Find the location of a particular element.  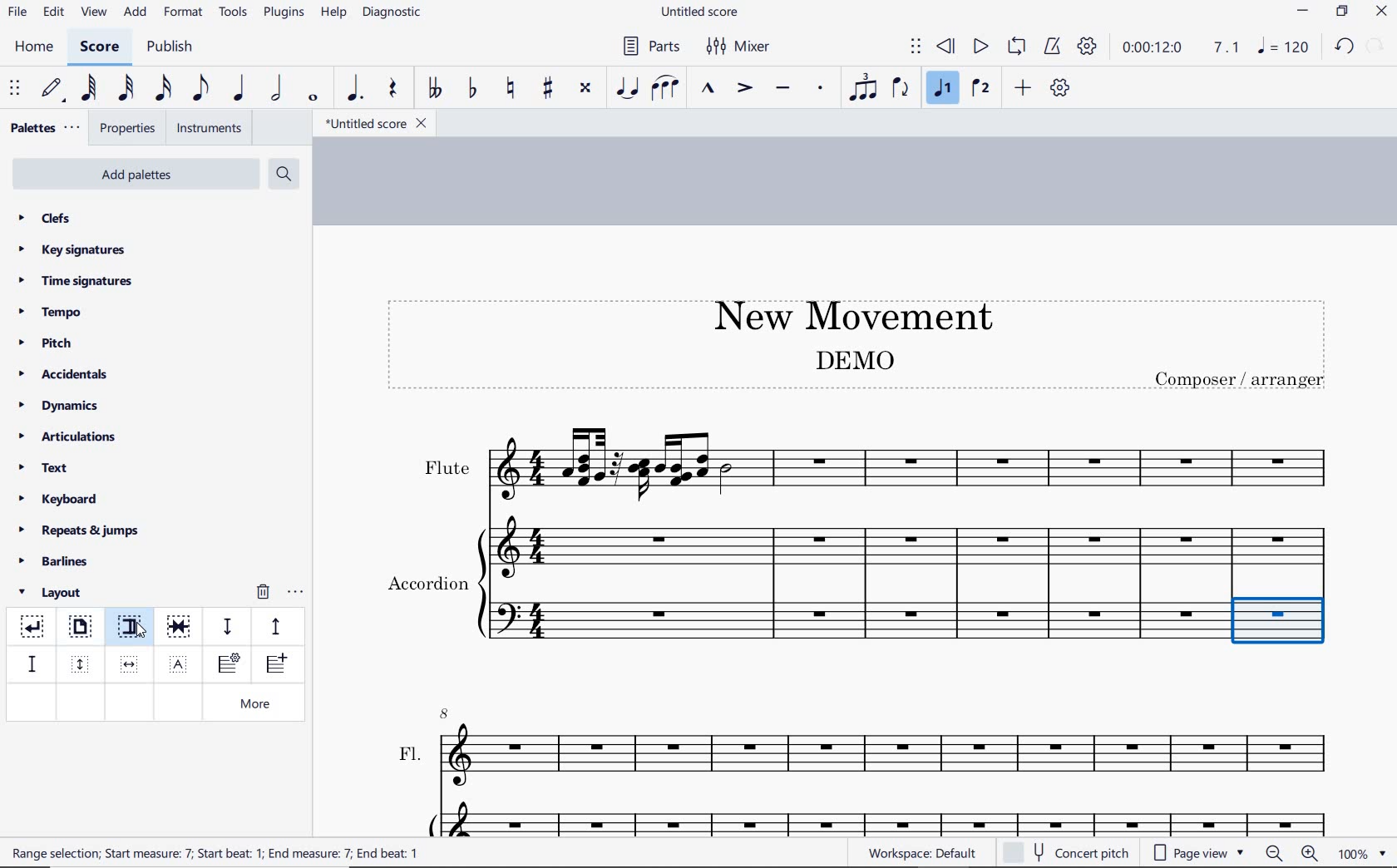

help is located at coordinates (332, 13).